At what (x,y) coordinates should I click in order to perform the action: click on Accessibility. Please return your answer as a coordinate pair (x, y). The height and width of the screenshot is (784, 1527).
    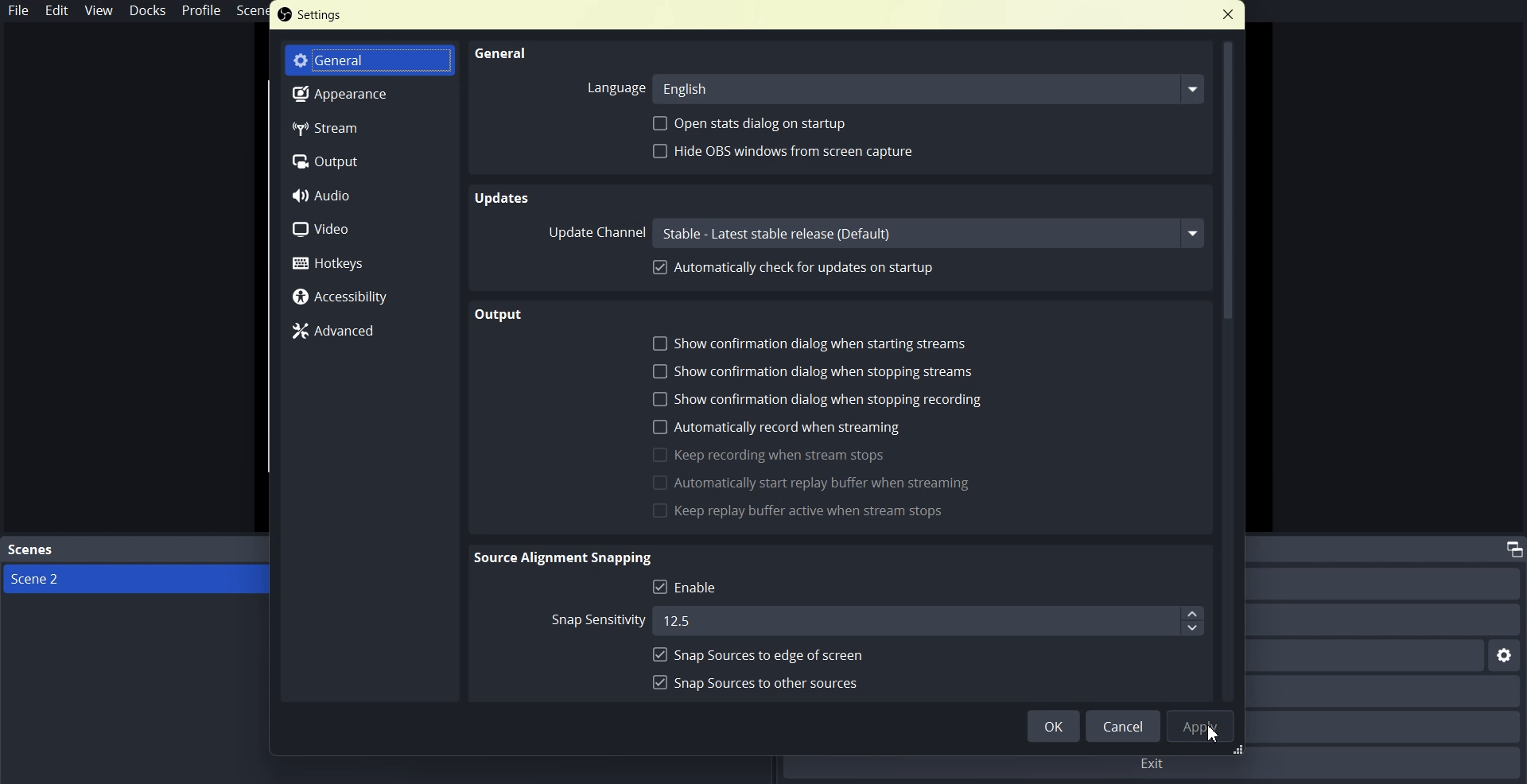
    Looking at the image, I should click on (370, 294).